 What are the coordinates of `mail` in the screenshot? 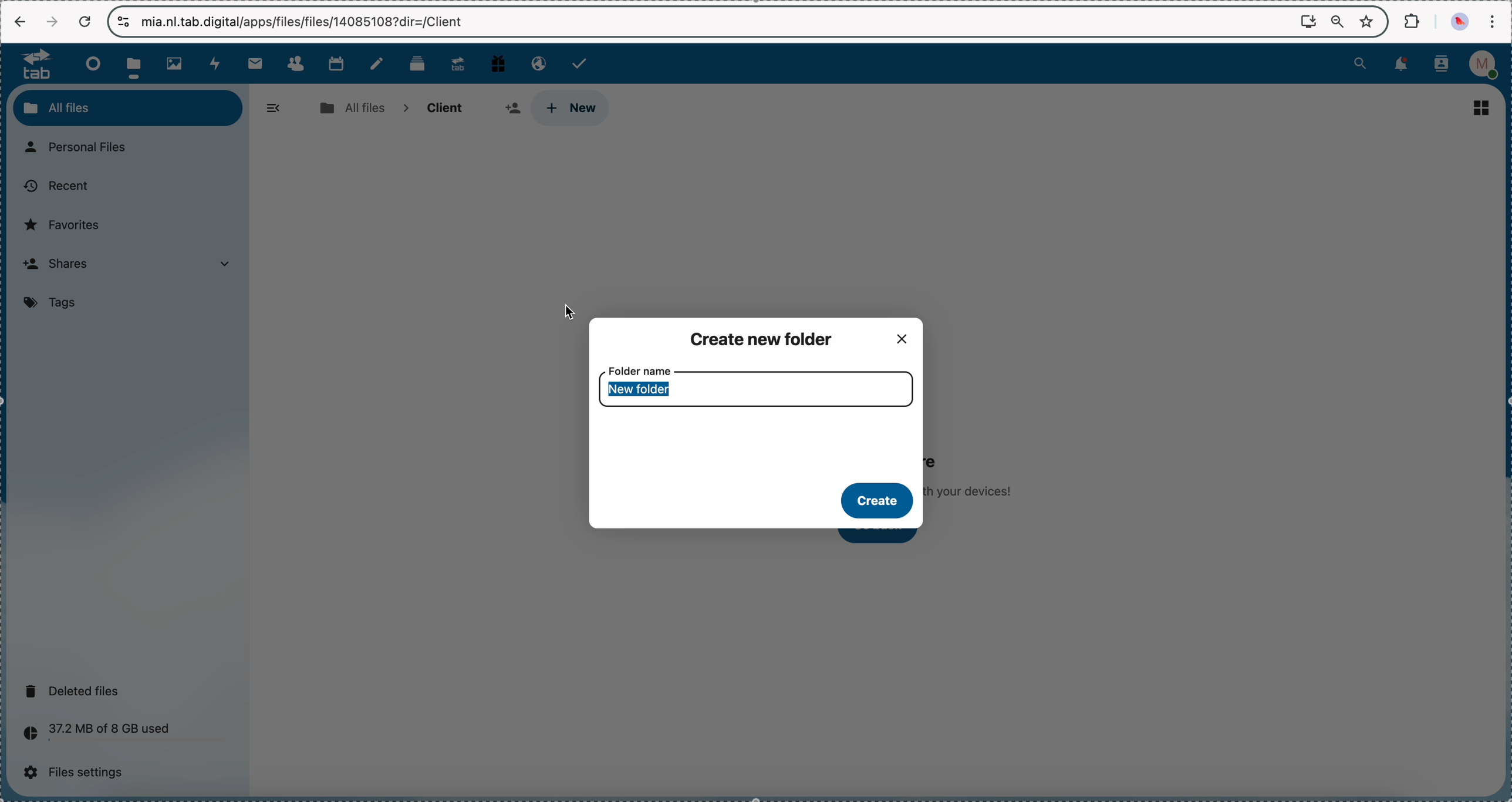 It's located at (254, 63).